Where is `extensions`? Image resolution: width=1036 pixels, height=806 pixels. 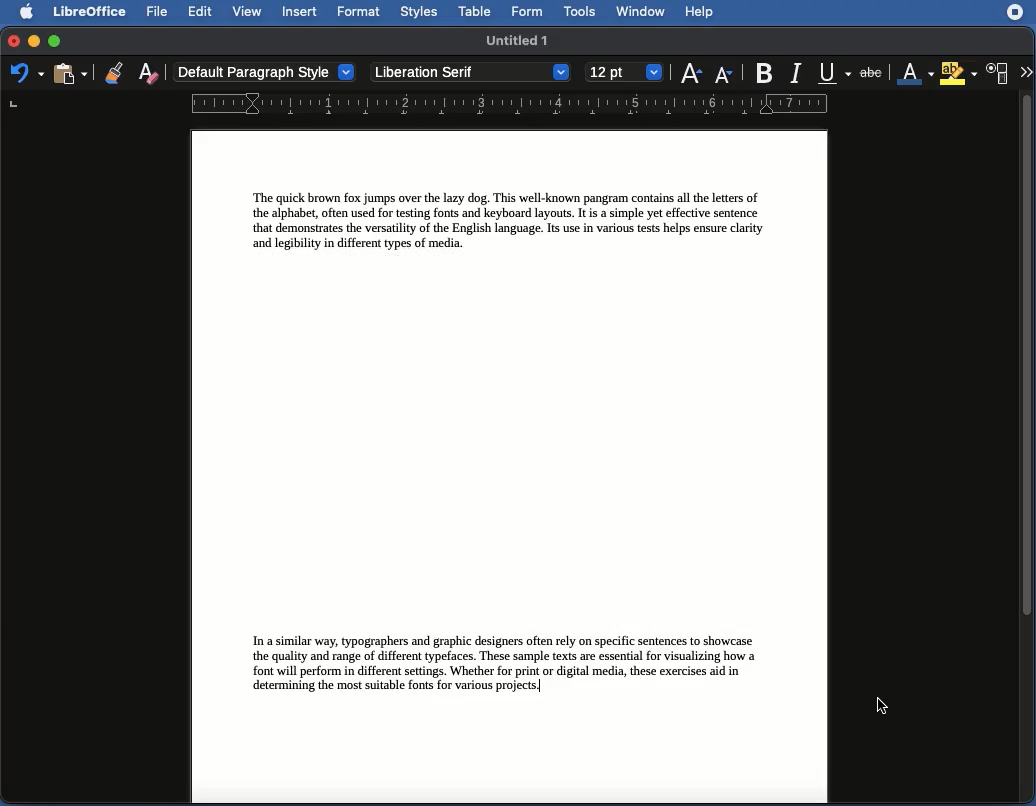
extensions is located at coordinates (1017, 20).